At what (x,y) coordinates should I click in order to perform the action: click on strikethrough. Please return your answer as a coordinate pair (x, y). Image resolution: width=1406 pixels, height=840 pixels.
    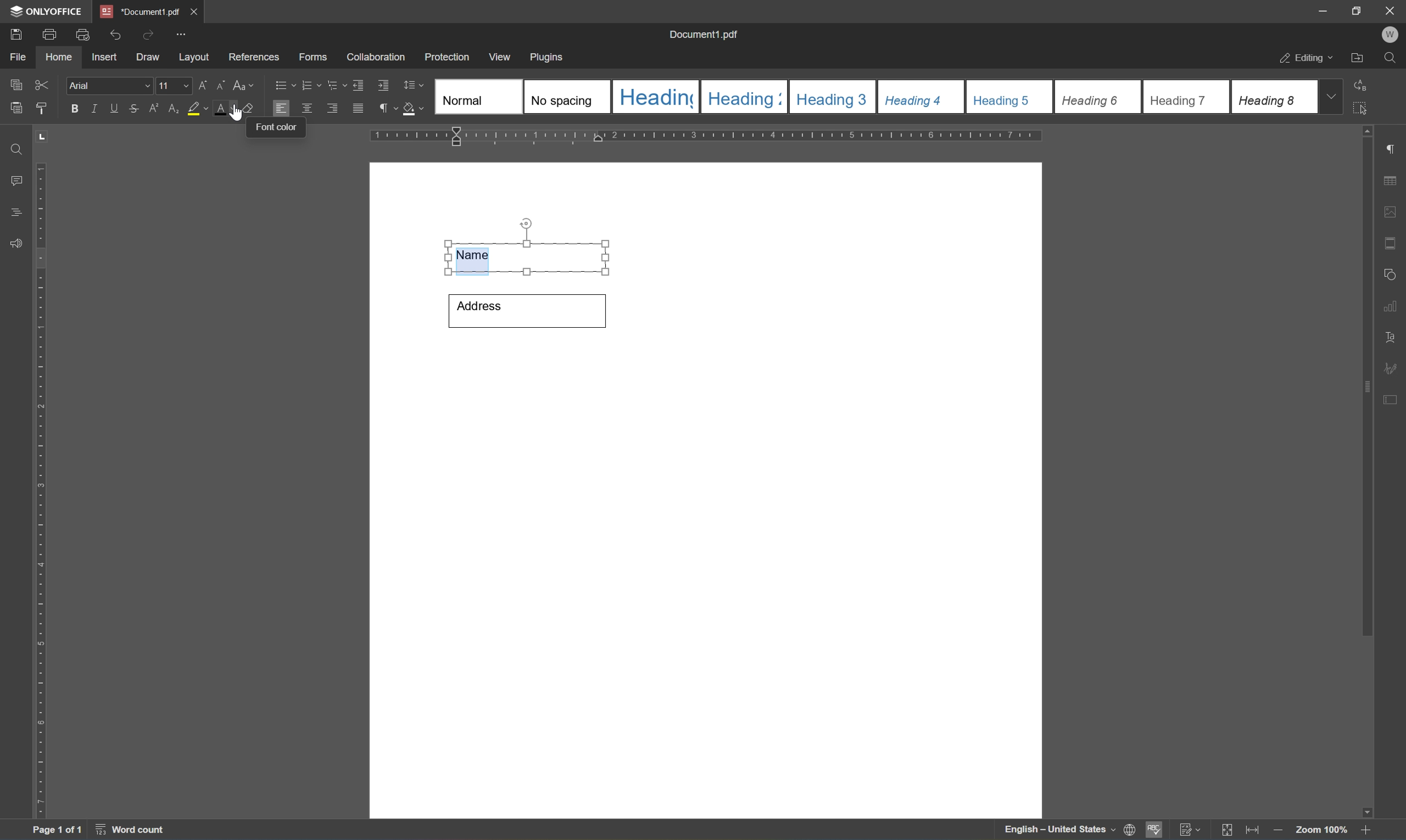
    Looking at the image, I should click on (133, 108).